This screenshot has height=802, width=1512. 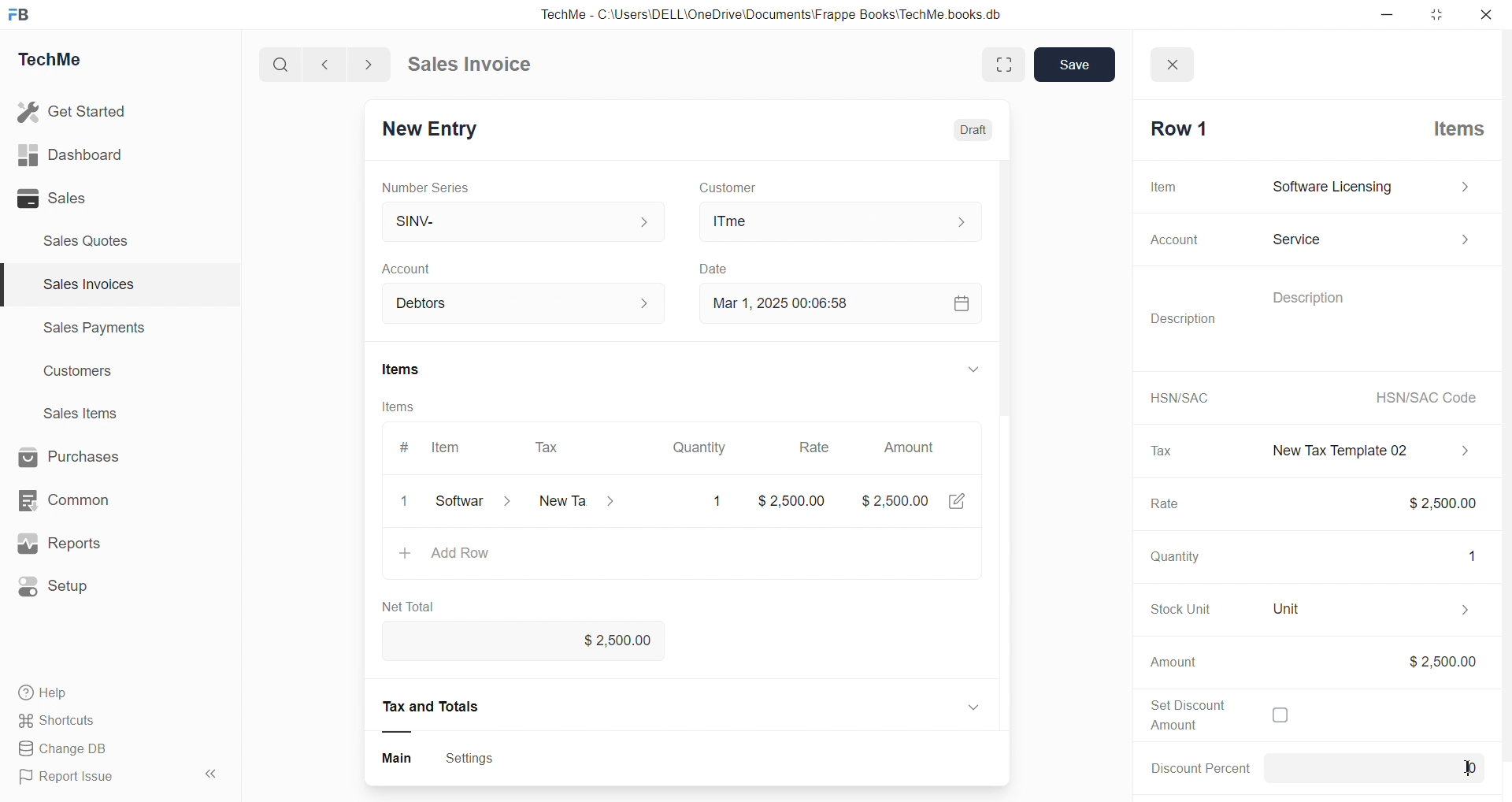 What do you see at coordinates (1075, 65) in the screenshot?
I see `Save` at bounding box center [1075, 65].